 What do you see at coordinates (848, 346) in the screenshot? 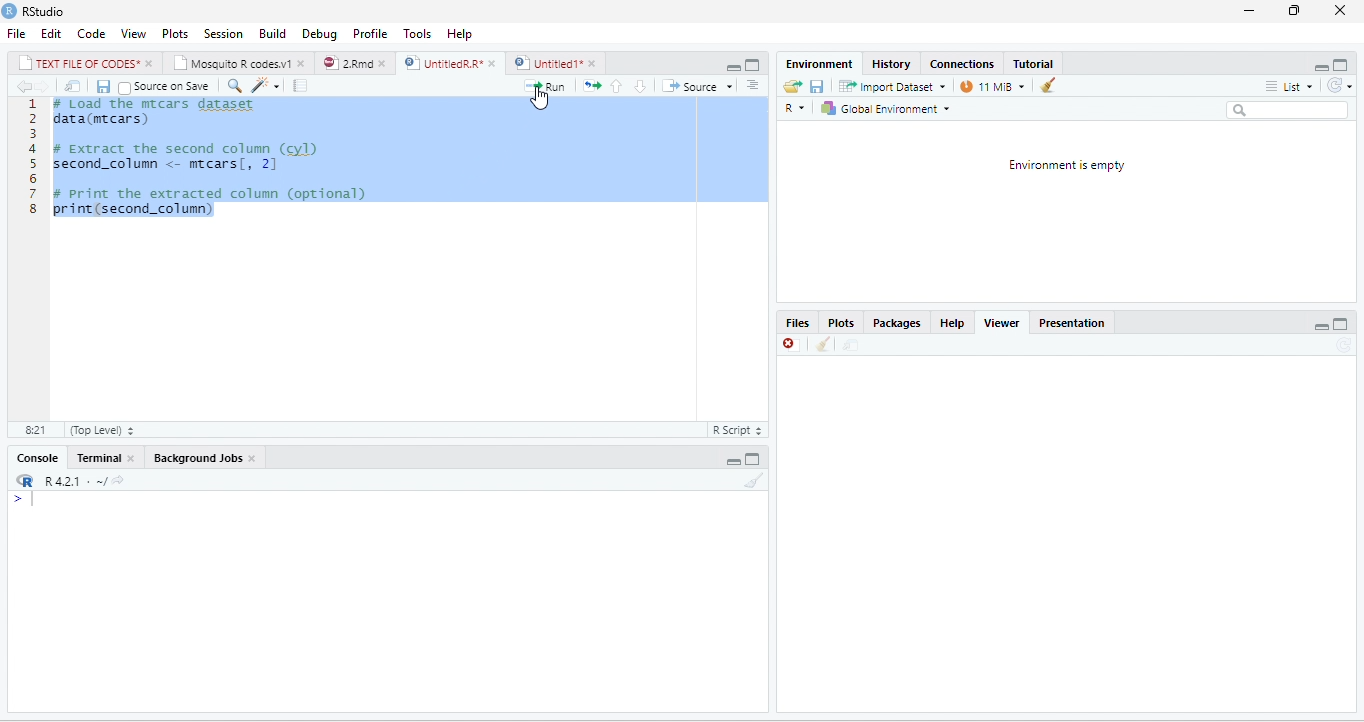
I see `move` at bounding box center [848, 346].